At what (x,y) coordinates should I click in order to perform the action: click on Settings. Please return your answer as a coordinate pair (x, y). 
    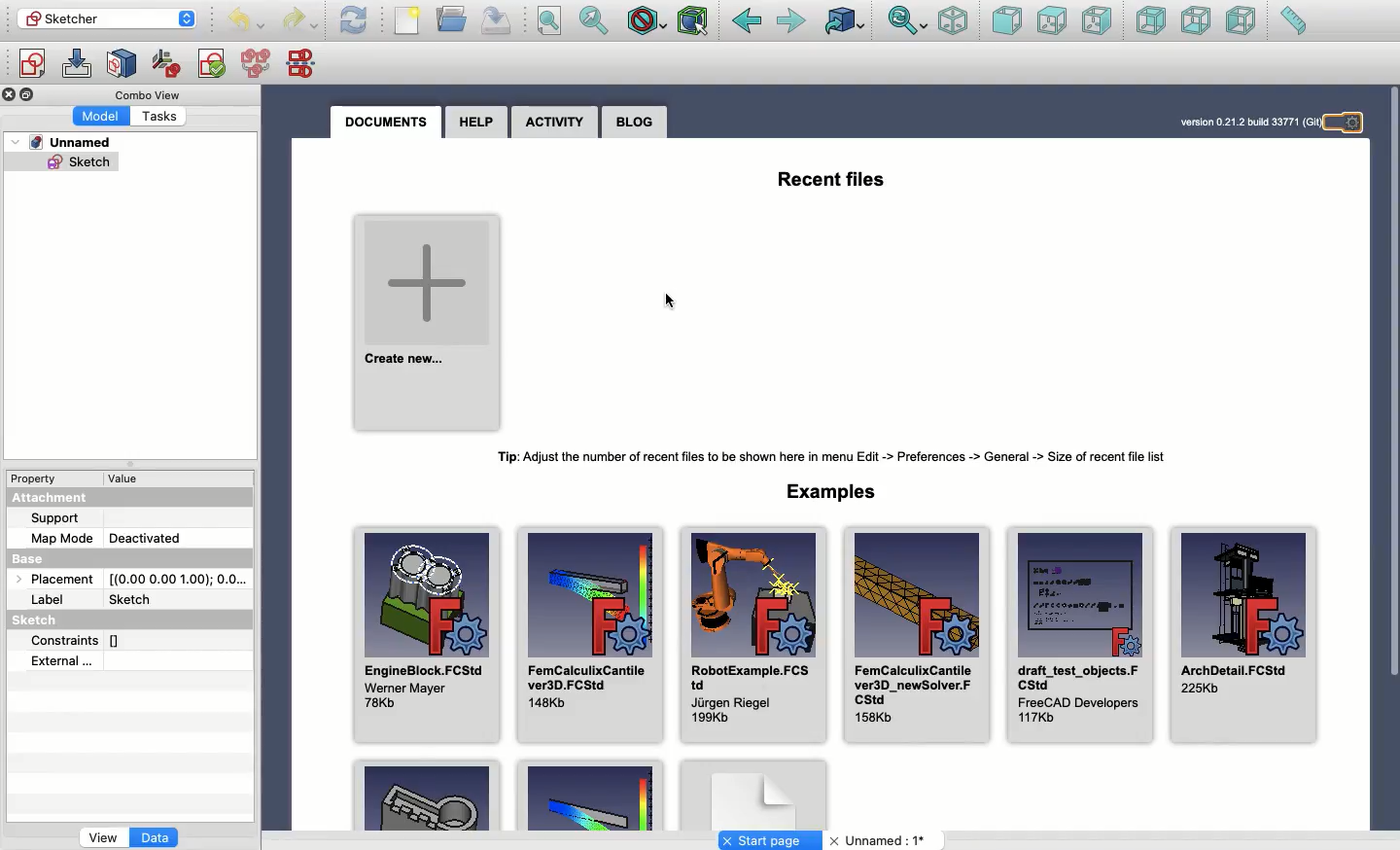
    Looking at the image, I should click on (1352, 124).